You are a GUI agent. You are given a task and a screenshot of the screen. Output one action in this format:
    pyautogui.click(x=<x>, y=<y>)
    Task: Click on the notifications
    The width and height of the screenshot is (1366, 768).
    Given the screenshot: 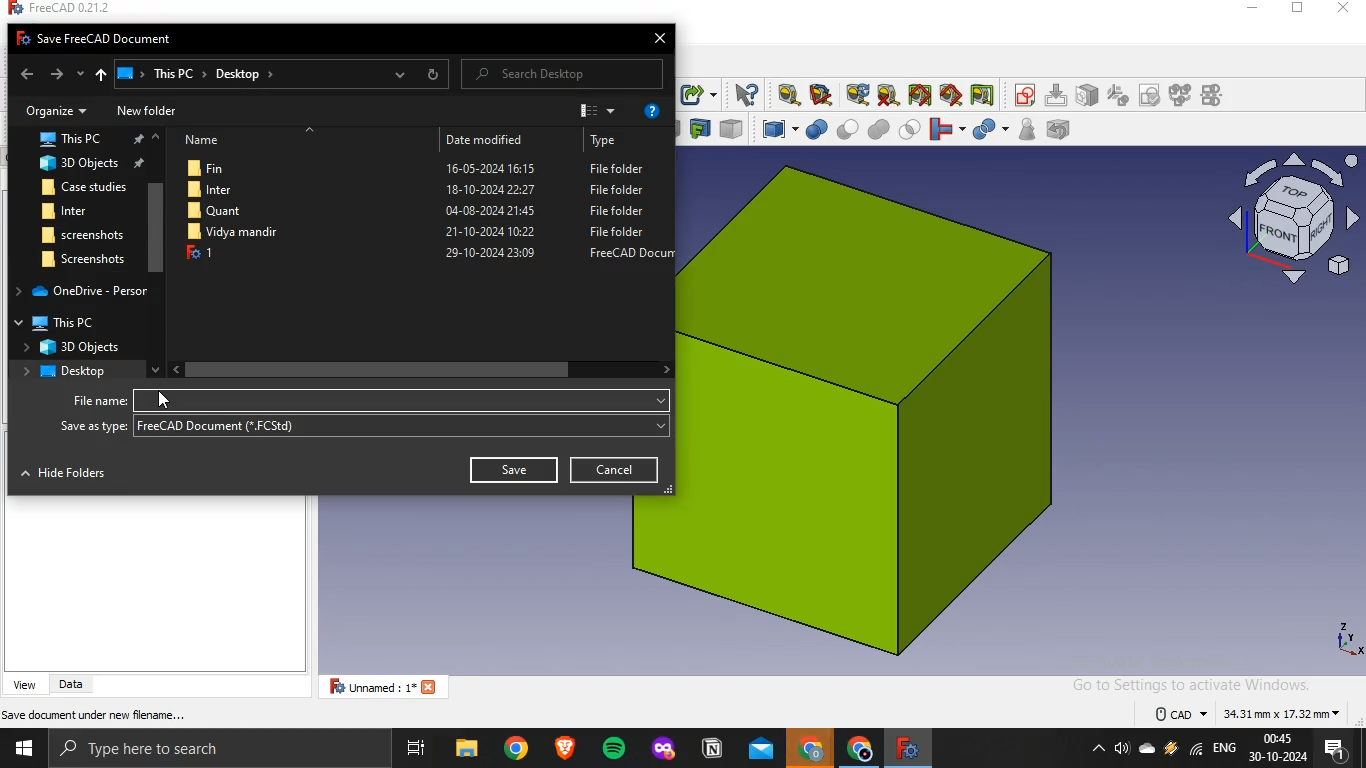 What is the action you would take?
    pyautogui.click(x=1336, y=749)
    